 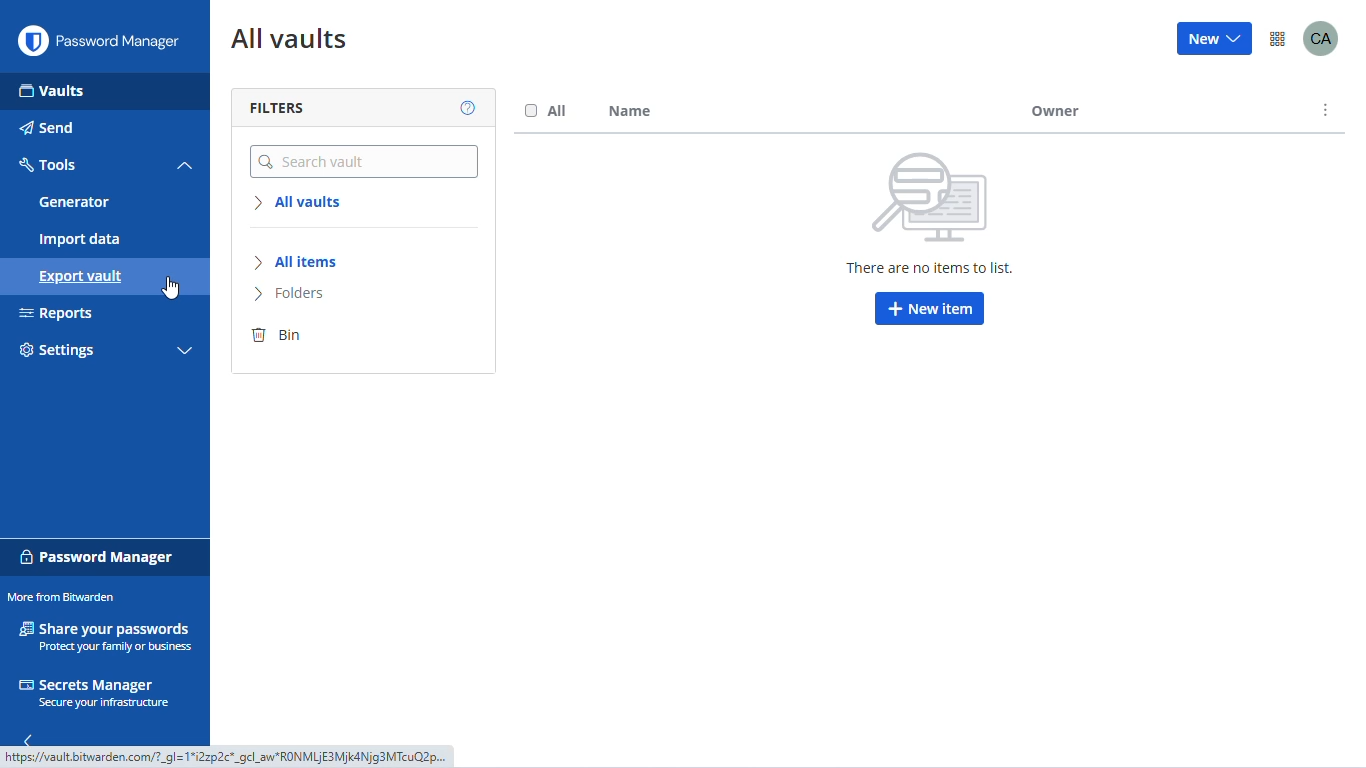 I want to click on secrets manager, so click(x=97, y=695).